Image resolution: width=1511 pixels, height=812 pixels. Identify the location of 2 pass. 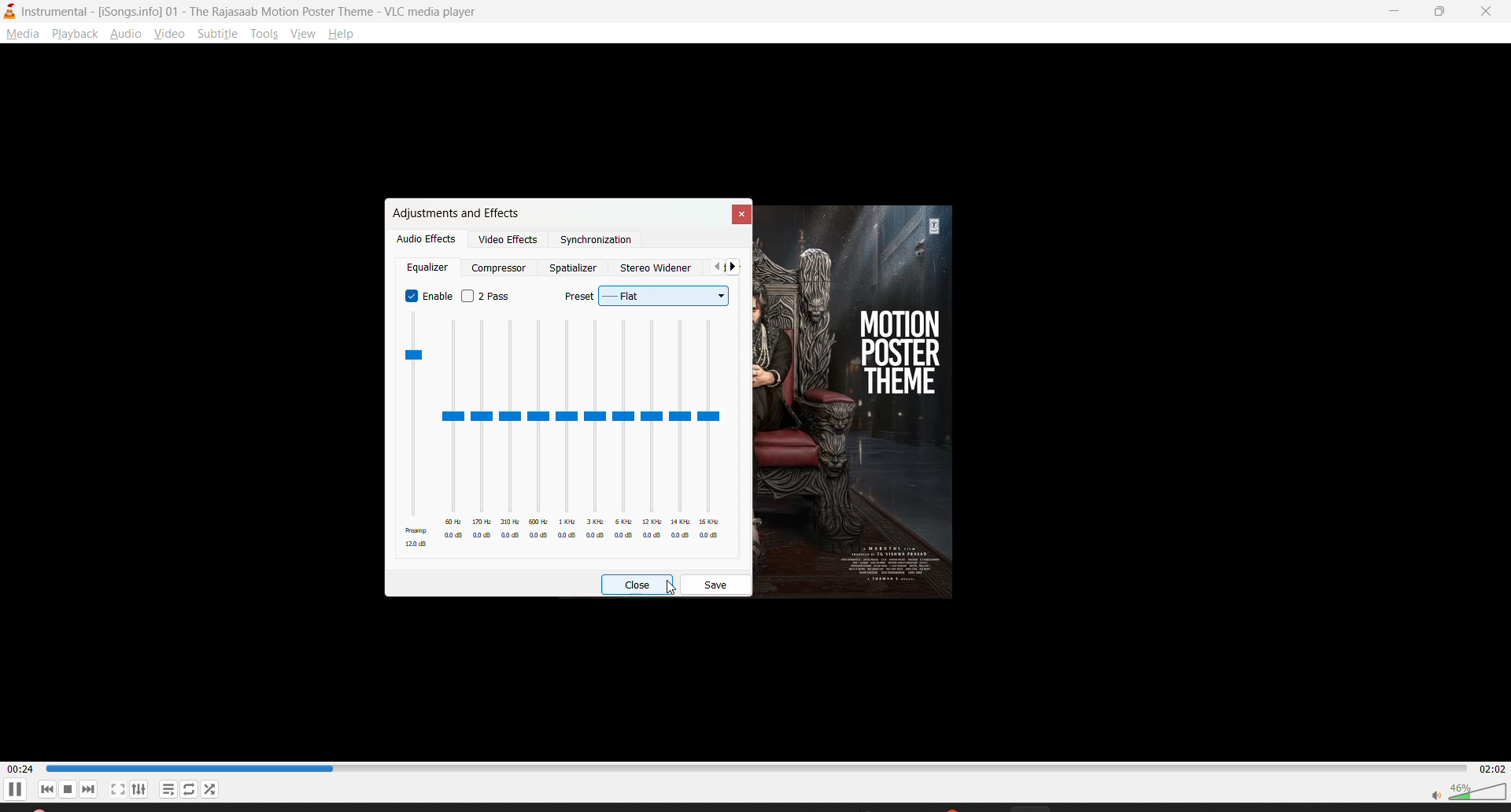
(484, 296).